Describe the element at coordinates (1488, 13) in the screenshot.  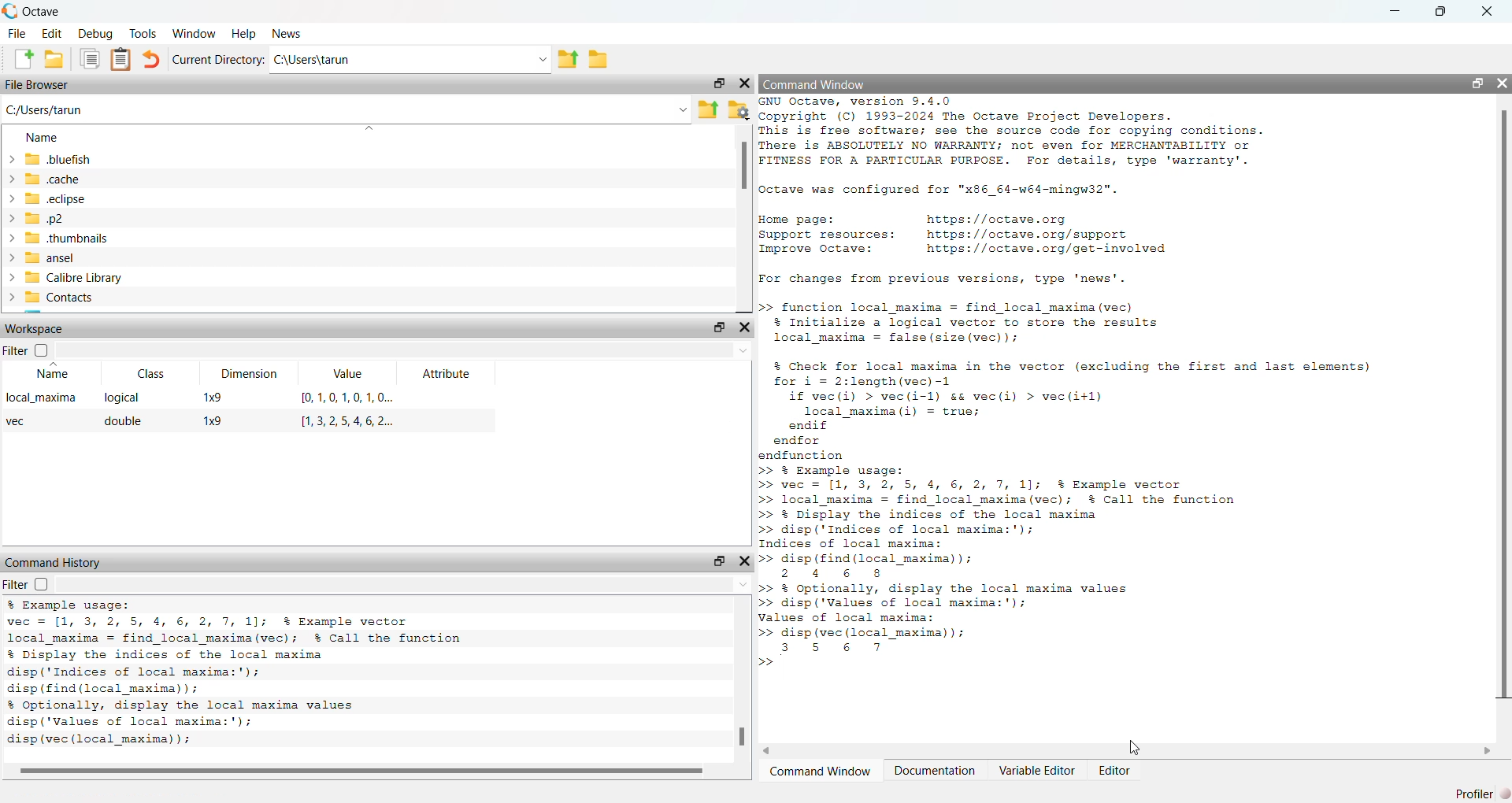
I see `close` at that location.